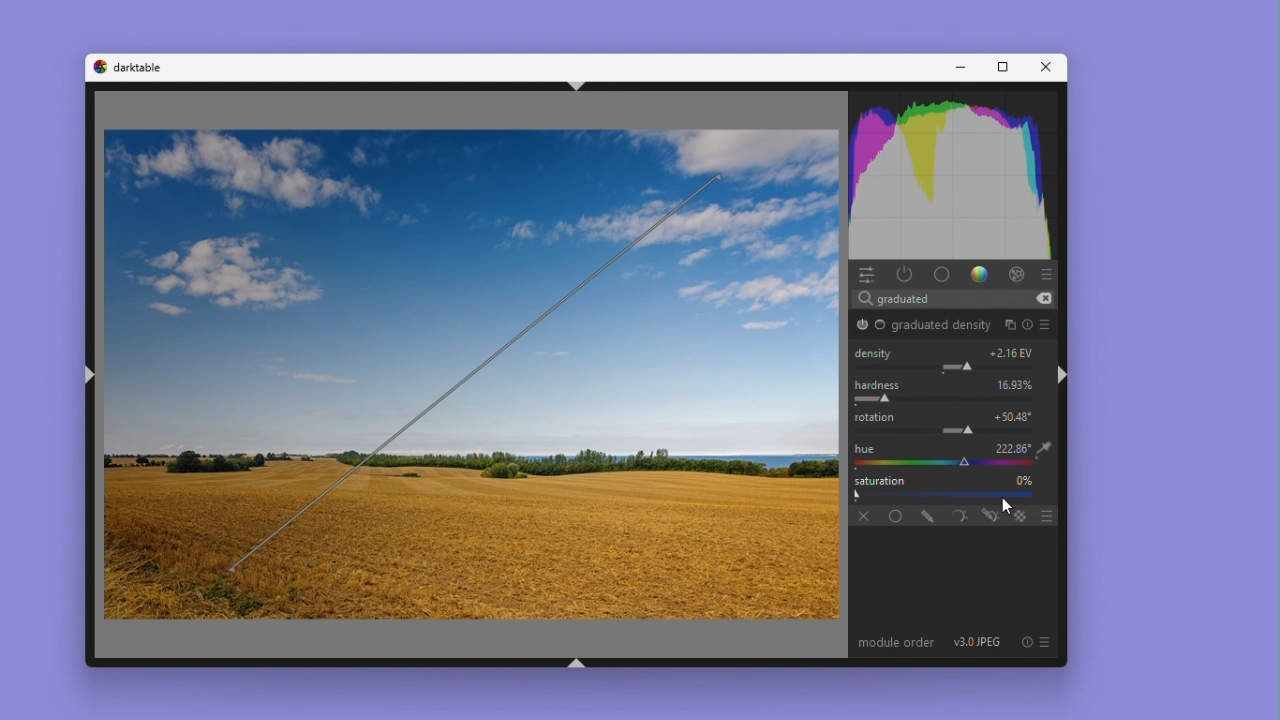 The height and width of the screenshot is (720, 1280). What do you see at coordinates (866, 274) in the screenshot?
I see `Quick access` at bounding box center [866, 274].